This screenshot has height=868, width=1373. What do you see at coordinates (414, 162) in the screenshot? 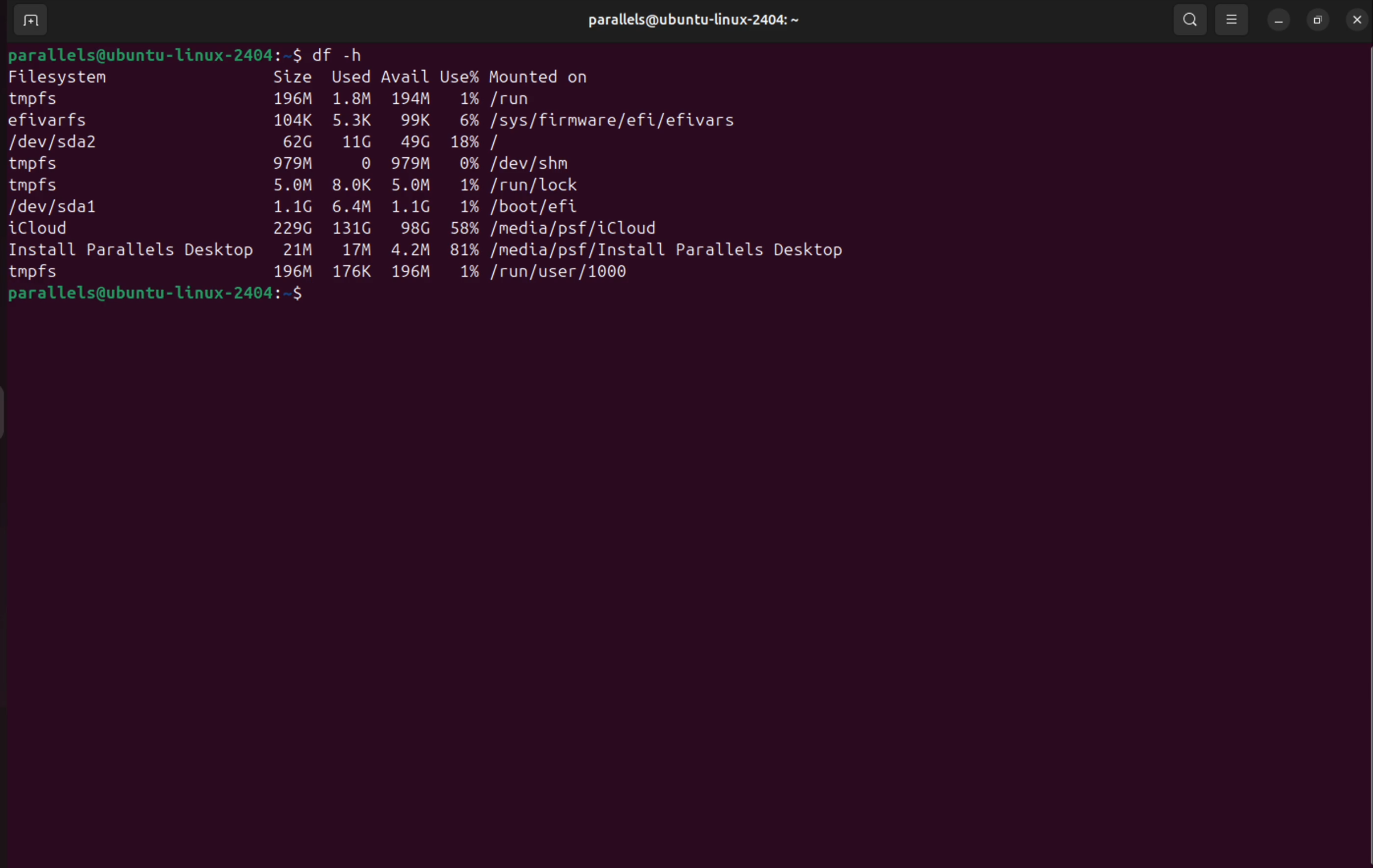
I see `979m` at bounding box center [414, 162].